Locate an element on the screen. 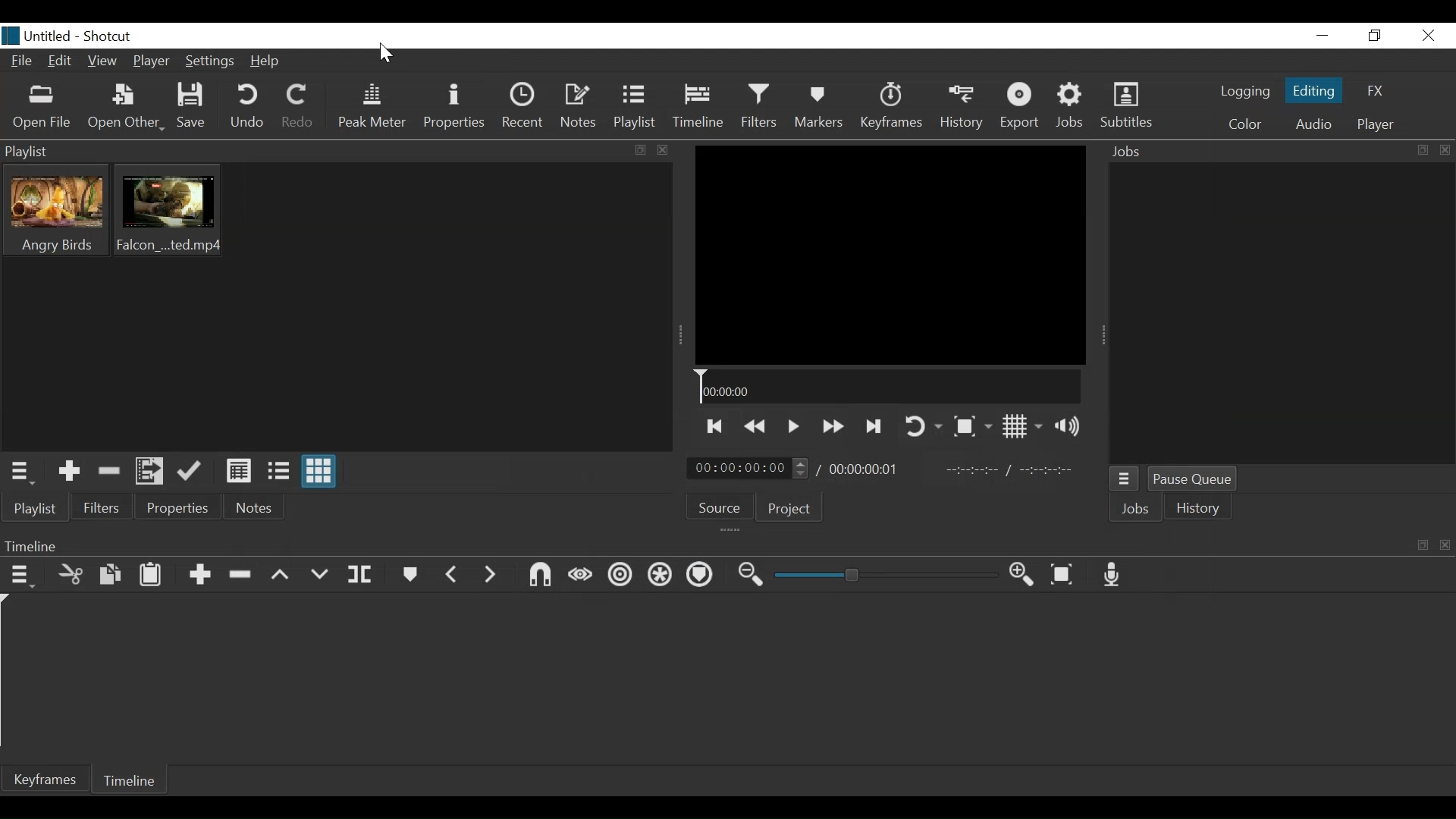  Peak Meter is located at coordinates (372, 106).